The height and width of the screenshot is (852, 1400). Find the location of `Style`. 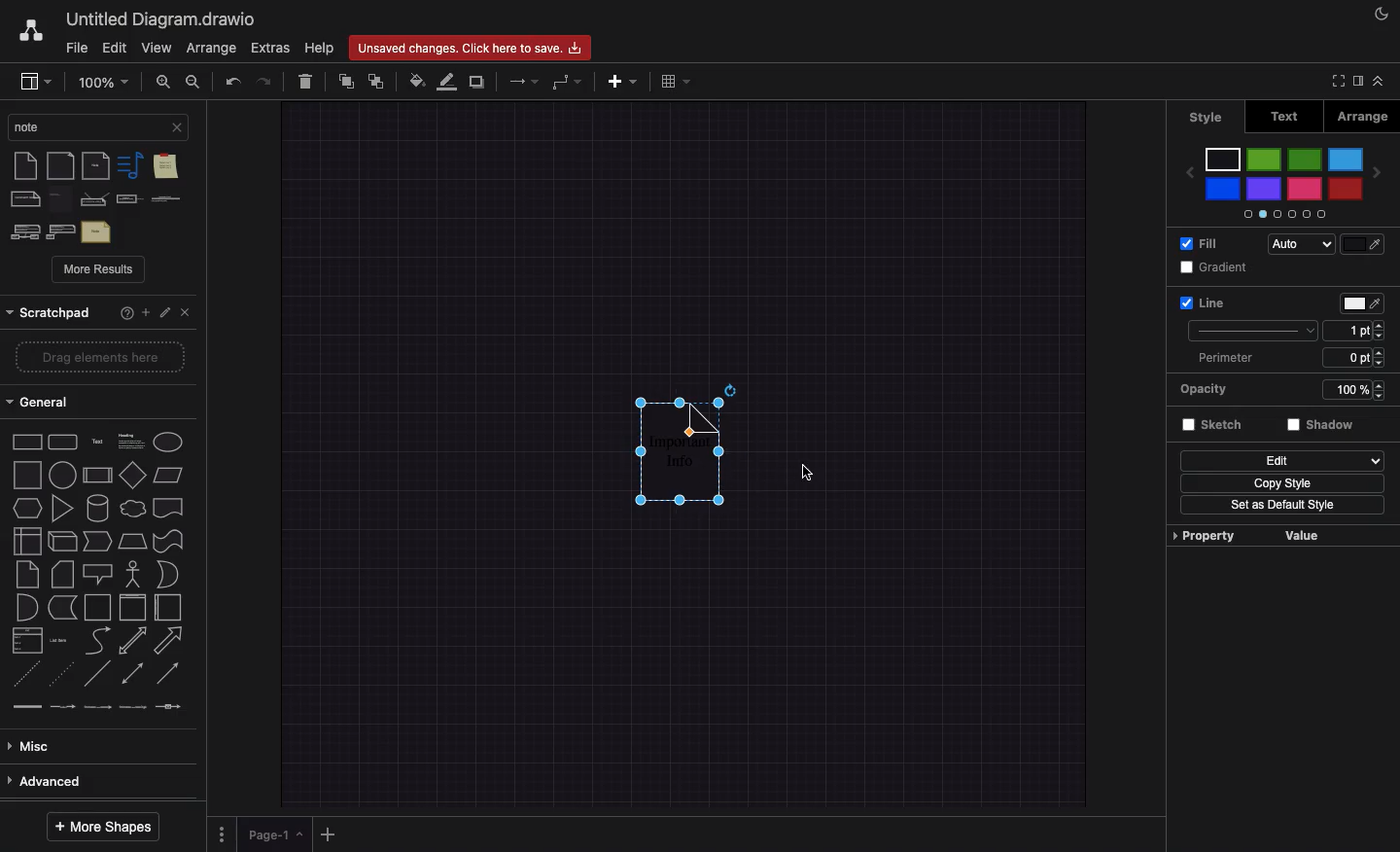

Style is located at coordinates (1254, 329).